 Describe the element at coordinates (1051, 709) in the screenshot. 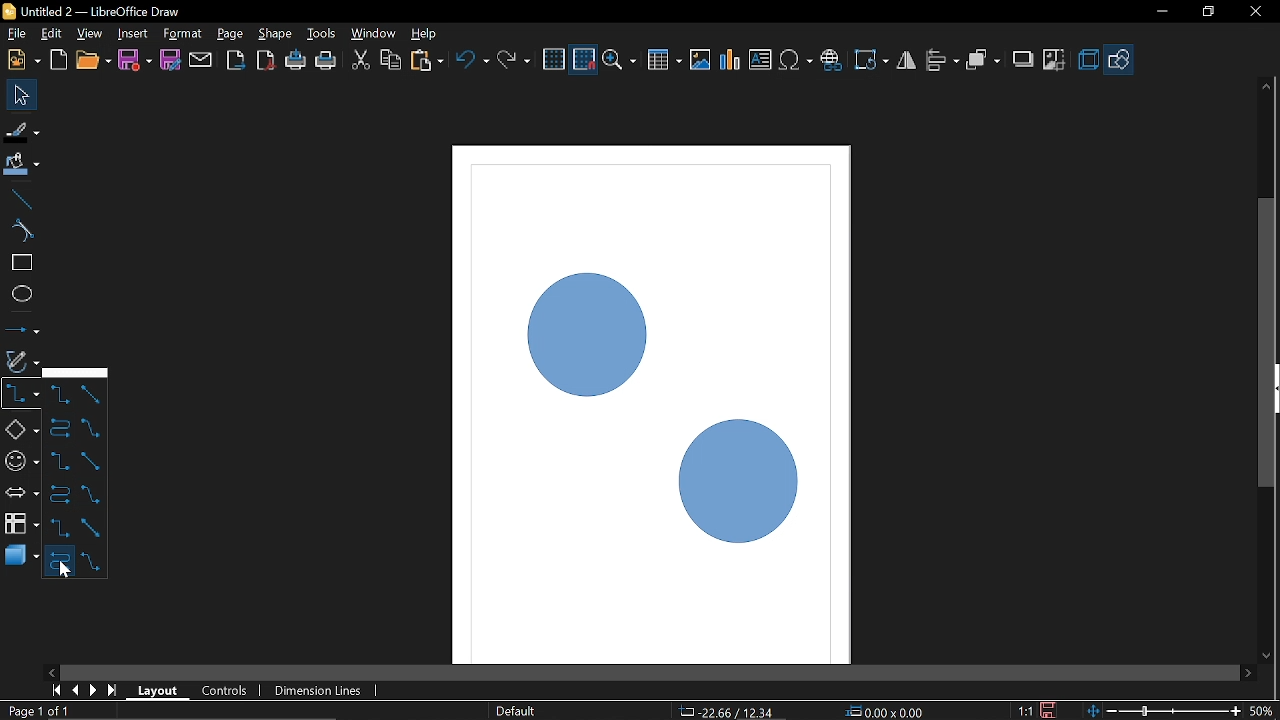

I see `Save` at that location.